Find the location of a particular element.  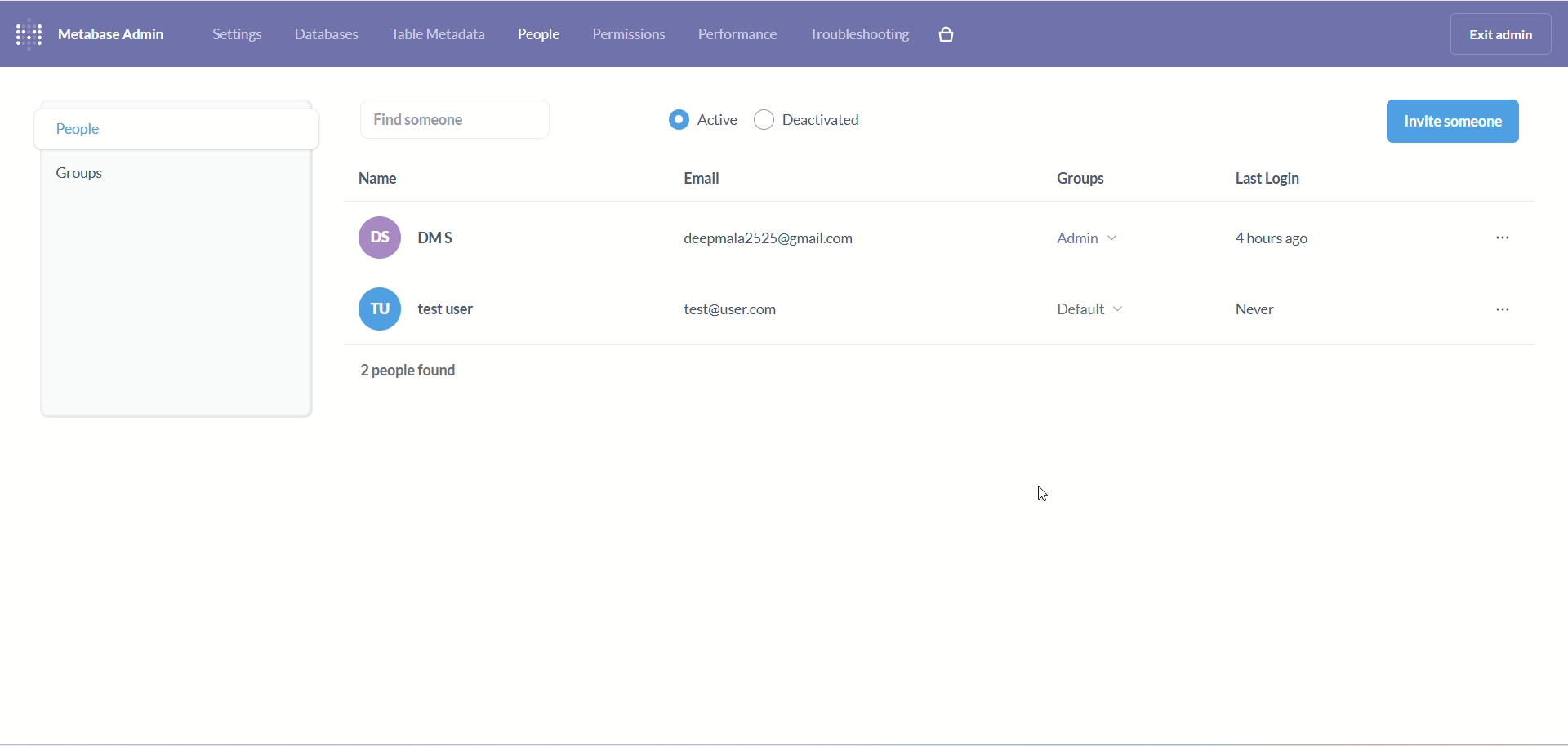

exit admin is located at coordinates (1497, 34).